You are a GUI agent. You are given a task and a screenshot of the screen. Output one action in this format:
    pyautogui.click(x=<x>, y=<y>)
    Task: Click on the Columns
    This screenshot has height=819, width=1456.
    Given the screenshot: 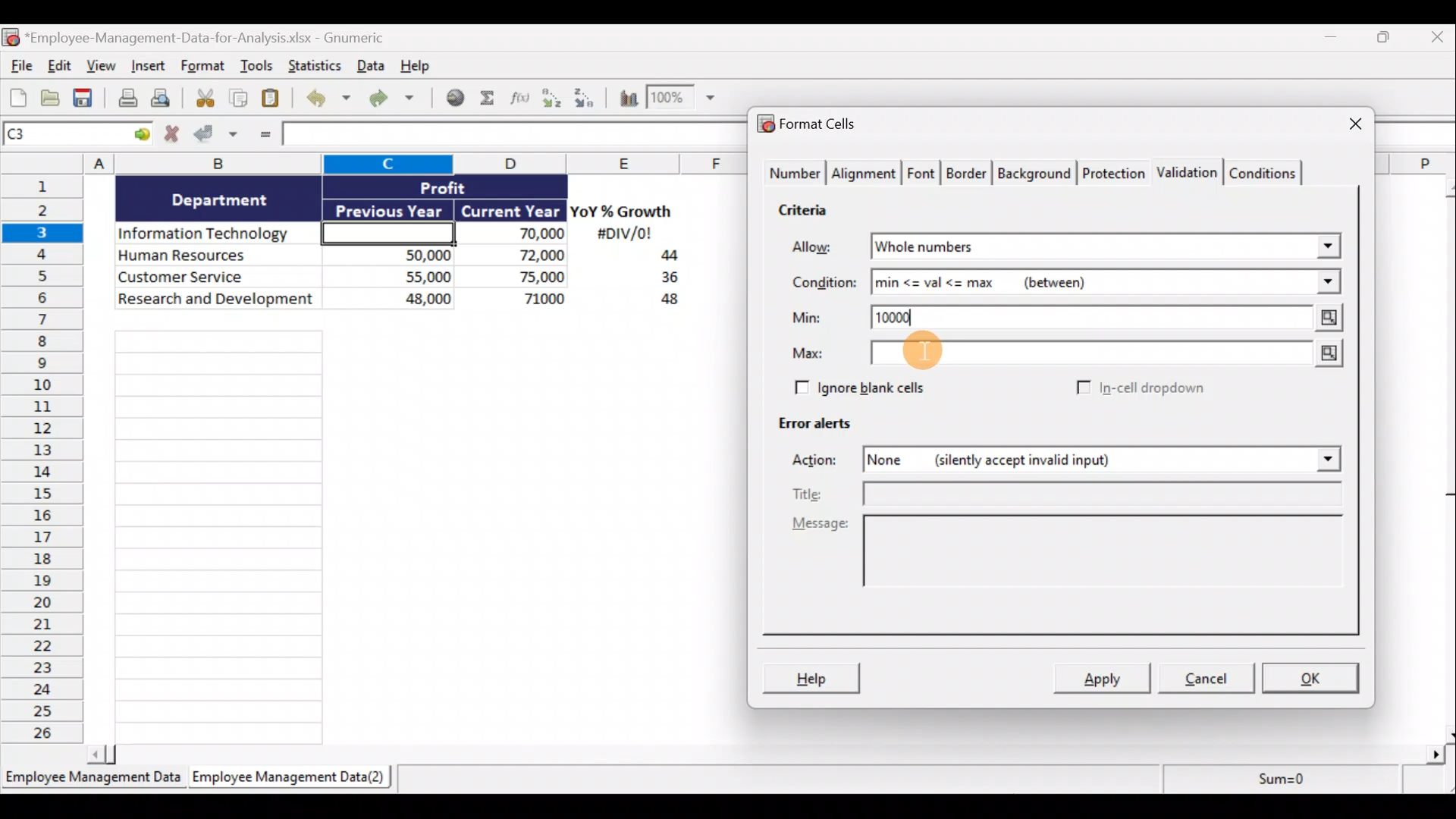 What is the action you would take?
    pyautogui.click(x=380, y=163)
    